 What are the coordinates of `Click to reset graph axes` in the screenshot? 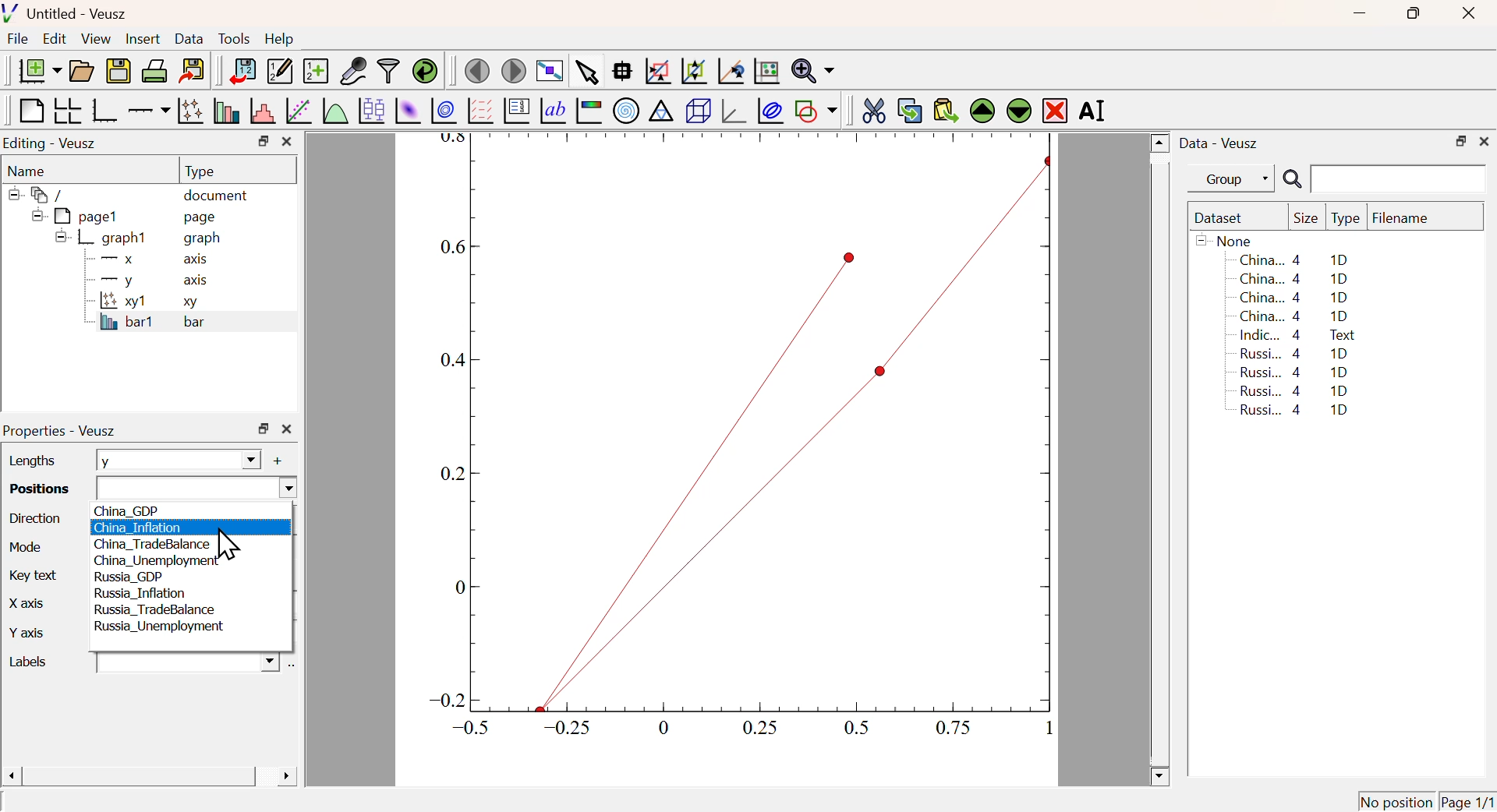 It's located at (728, 72).